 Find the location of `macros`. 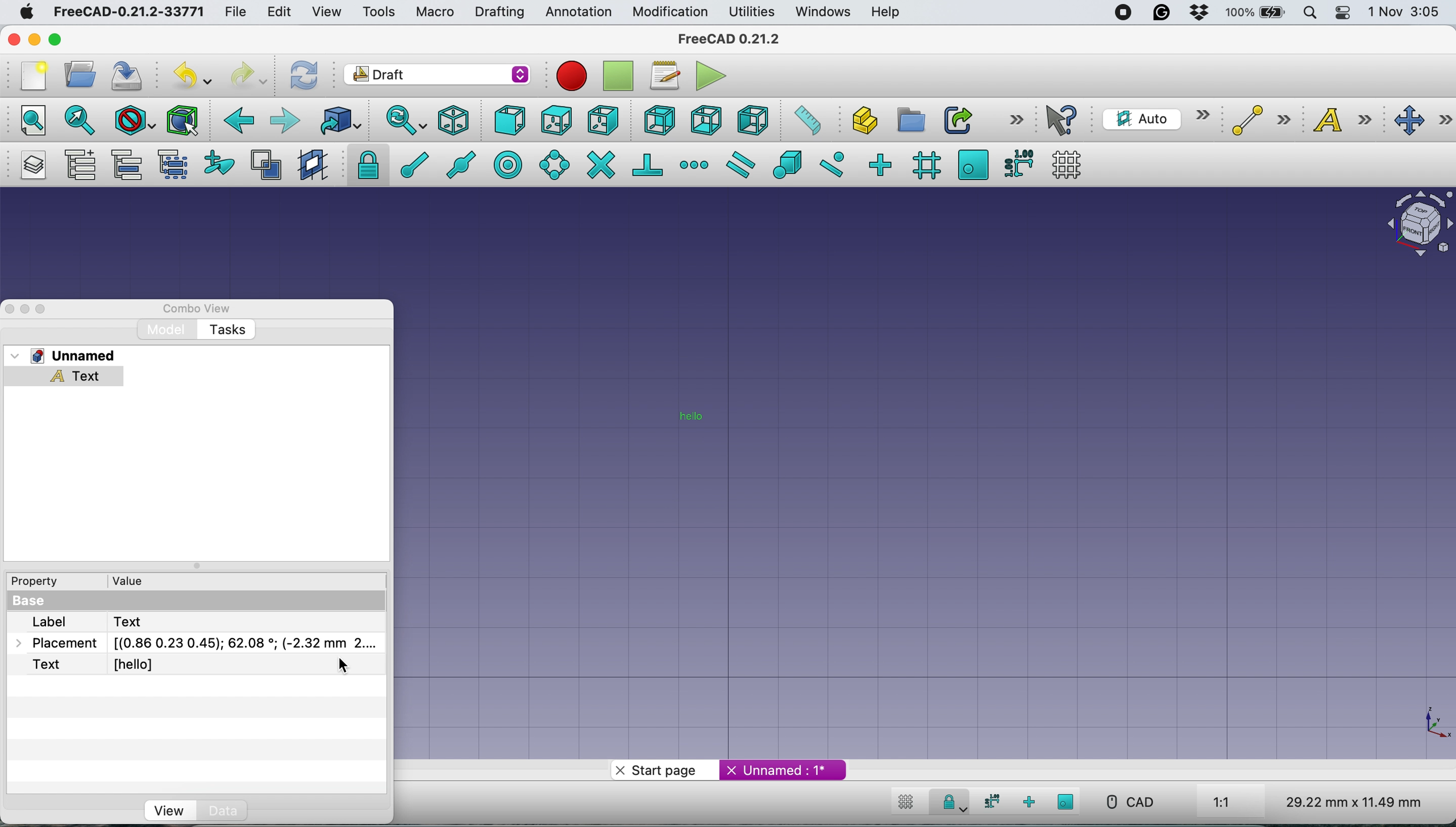

macros is located at coordinates (667, 74).